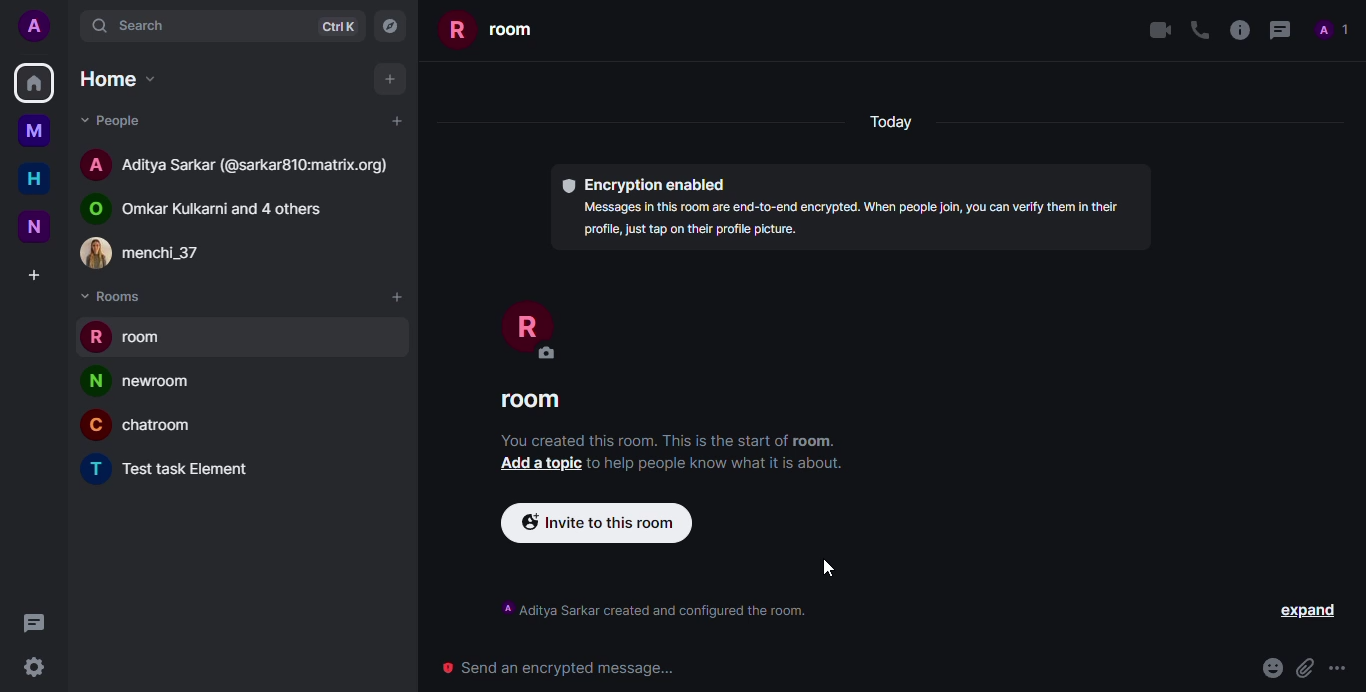 Image resolution: width=1366 pixels, height=692 pixels. I want to click on new, so click(31, 227).